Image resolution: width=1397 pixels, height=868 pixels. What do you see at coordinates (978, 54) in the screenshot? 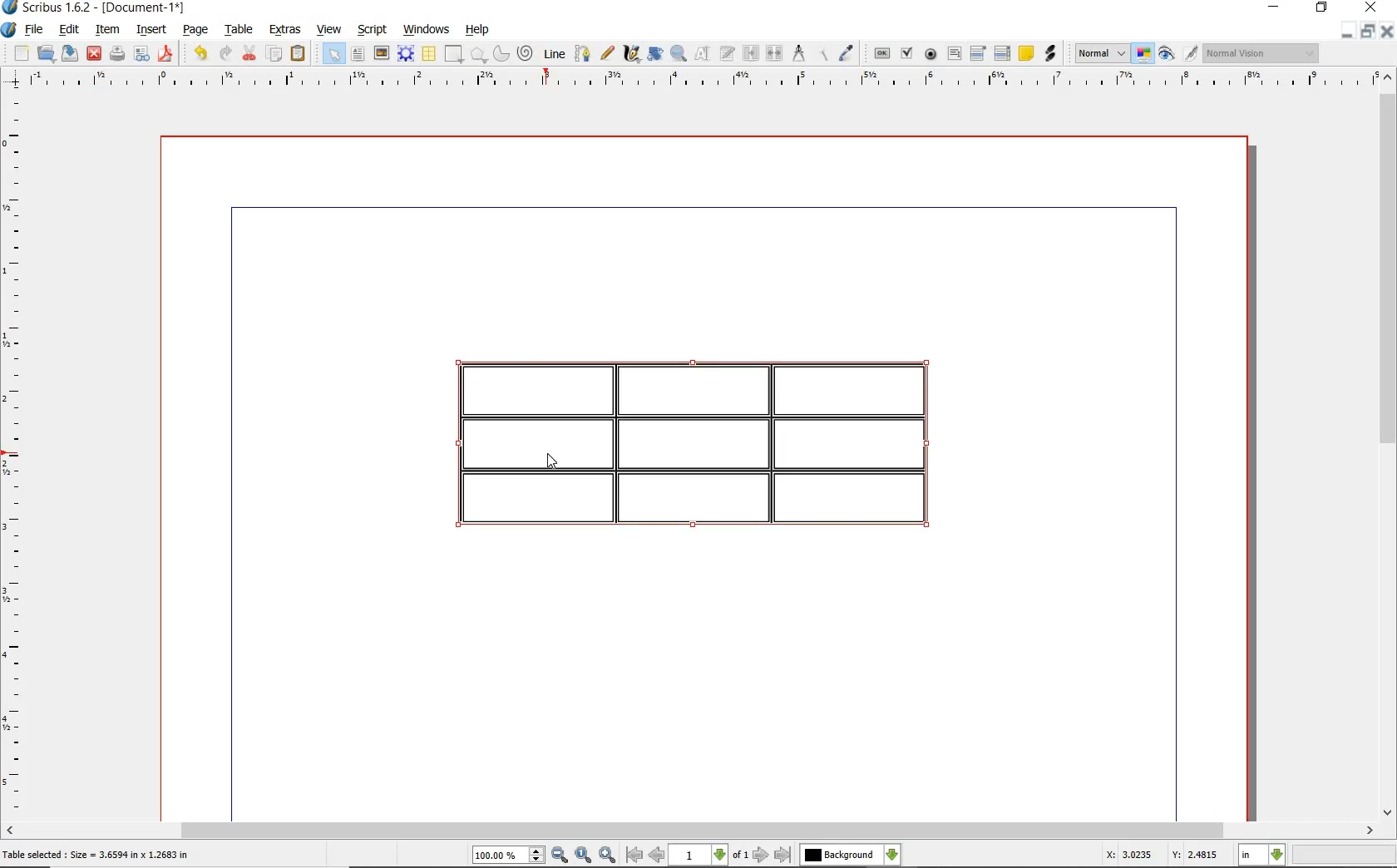
I see `pdf combo box` at bounding box center [978, 54].